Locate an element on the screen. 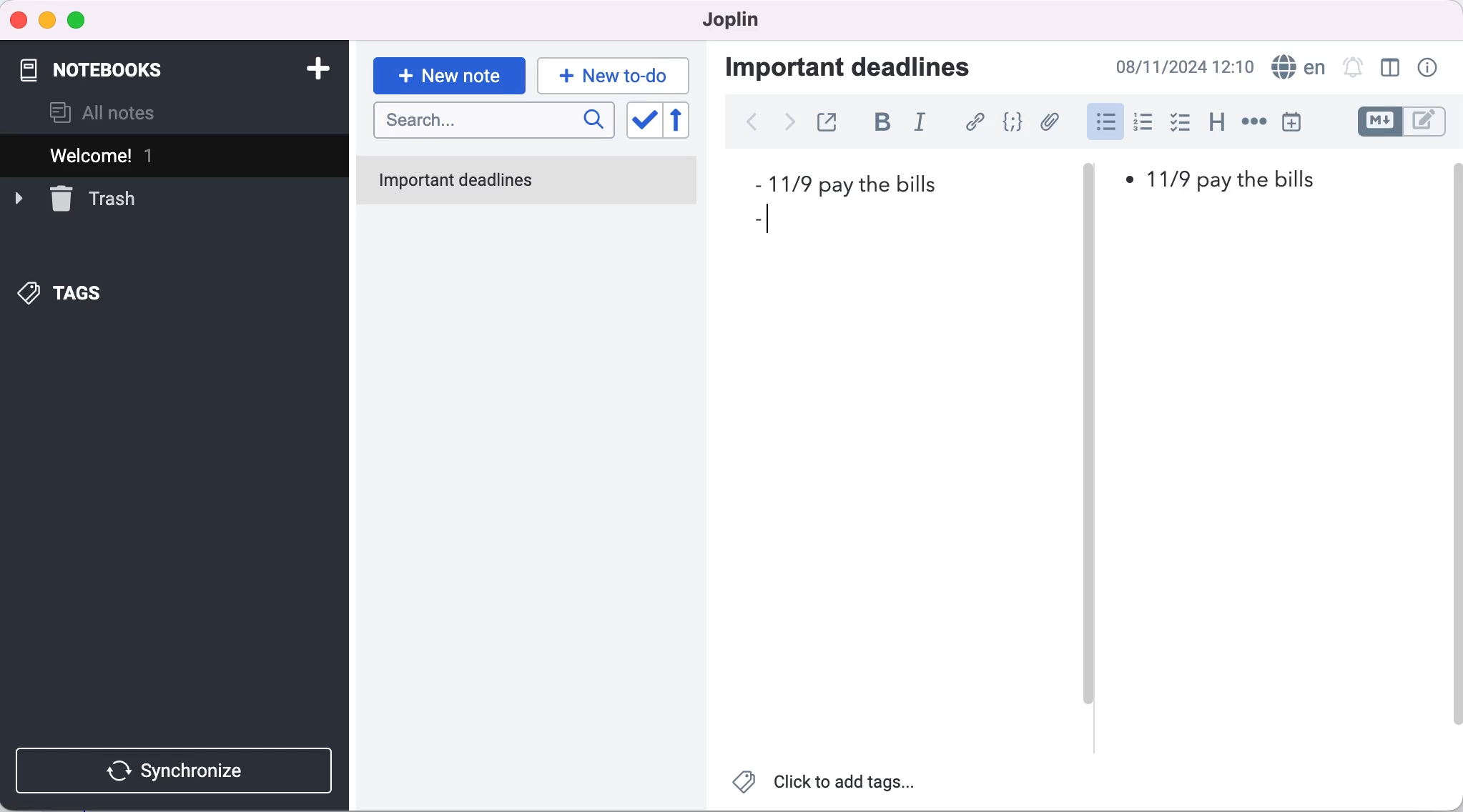  minimize is located at coordinates (49, 19).